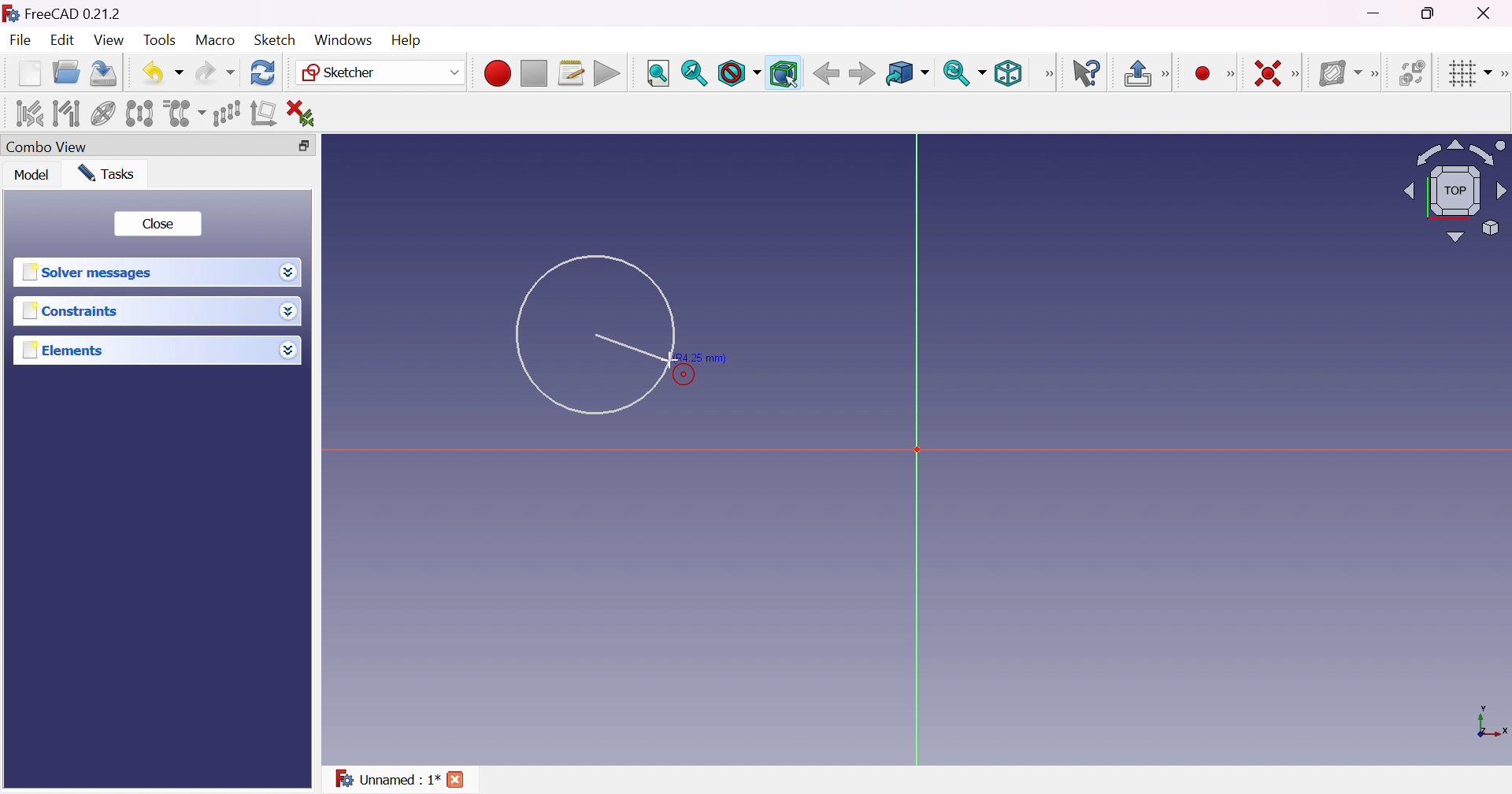 This screenshot has height=794, width=1512. What do you see at coordinates (1205, 72) in the screenshot?
I see `Create point` at bounding box center [1205, 72].